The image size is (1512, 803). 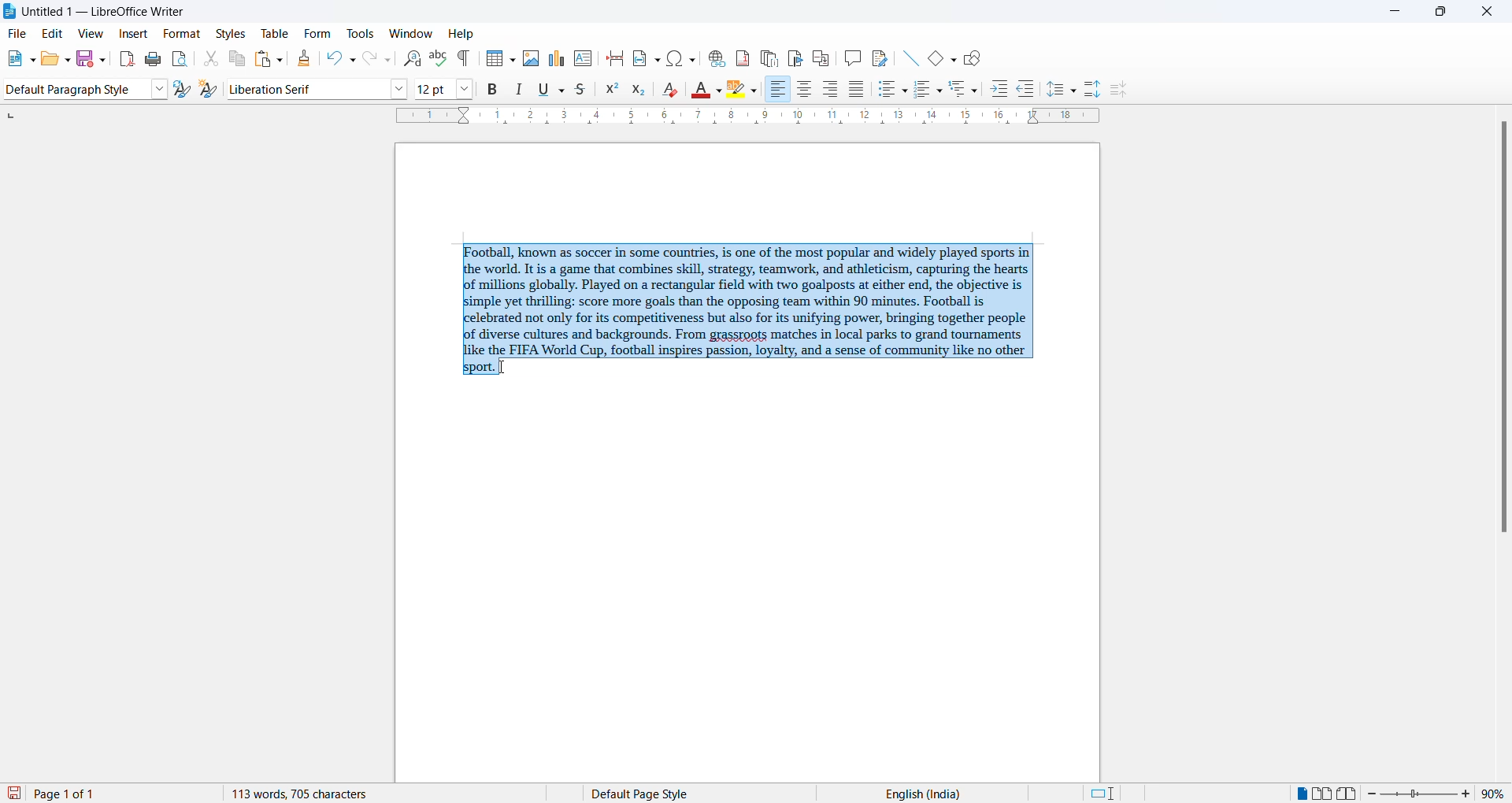 I want to click on save, so click(x=82, y=57).